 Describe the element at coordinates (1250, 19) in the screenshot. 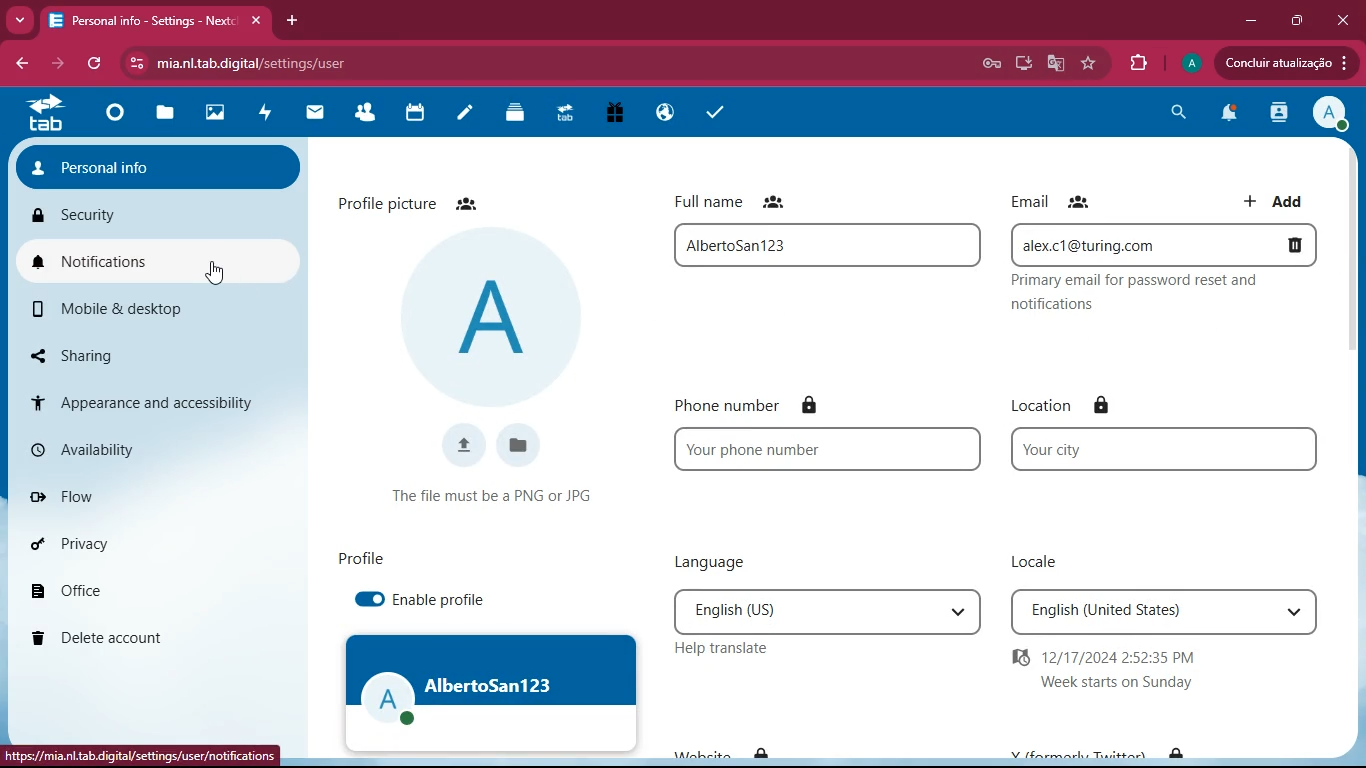

I see `minimize` at that location.